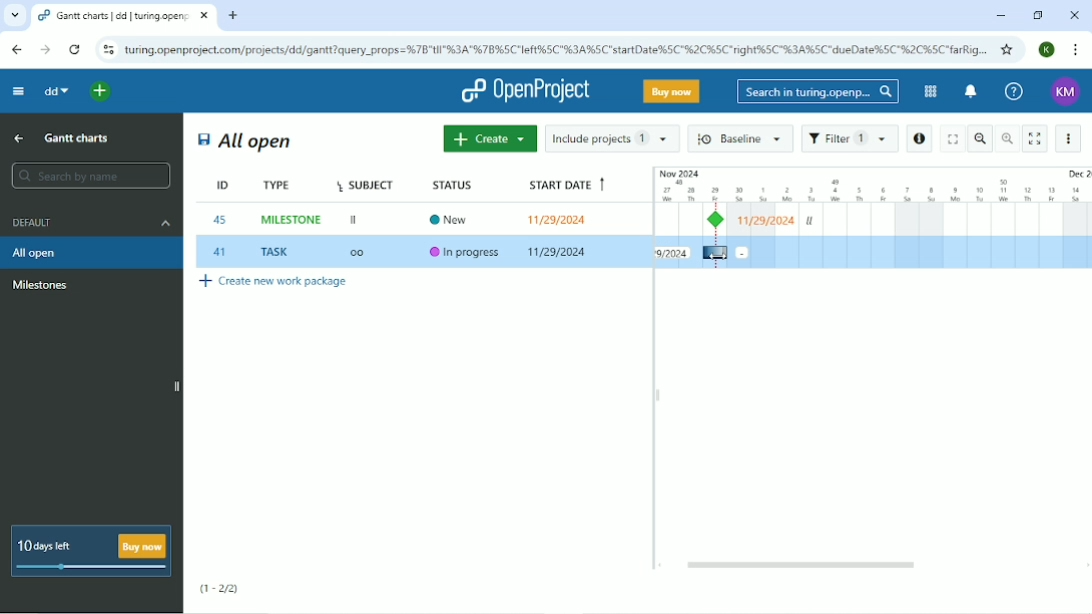  What do you see at coordinates (767, 221) in the screenshot?
I see `Milestone start date` at bounding box center [767, 221].